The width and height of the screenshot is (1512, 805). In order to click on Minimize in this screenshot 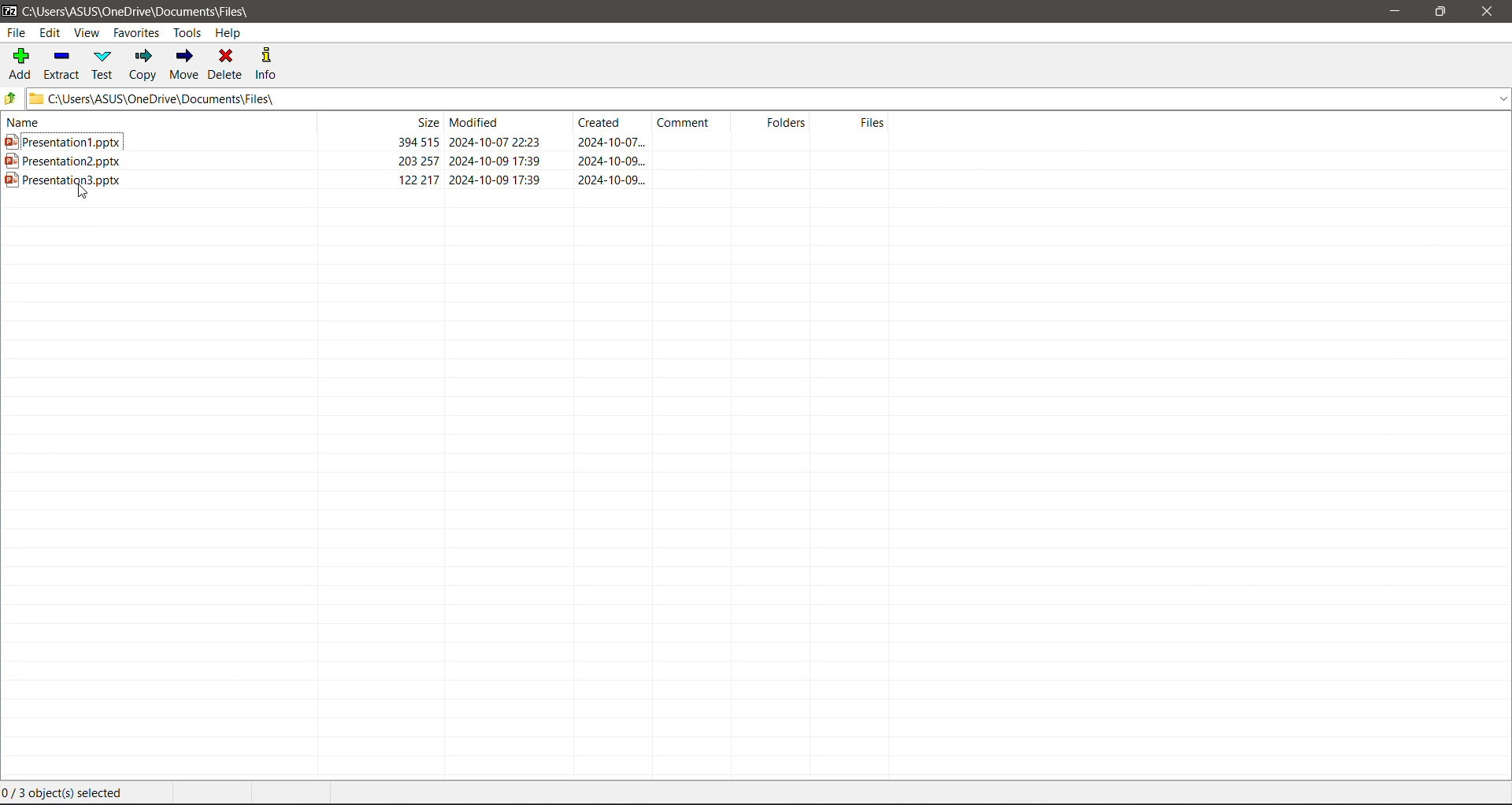, I will do `click(1394, 12)`.